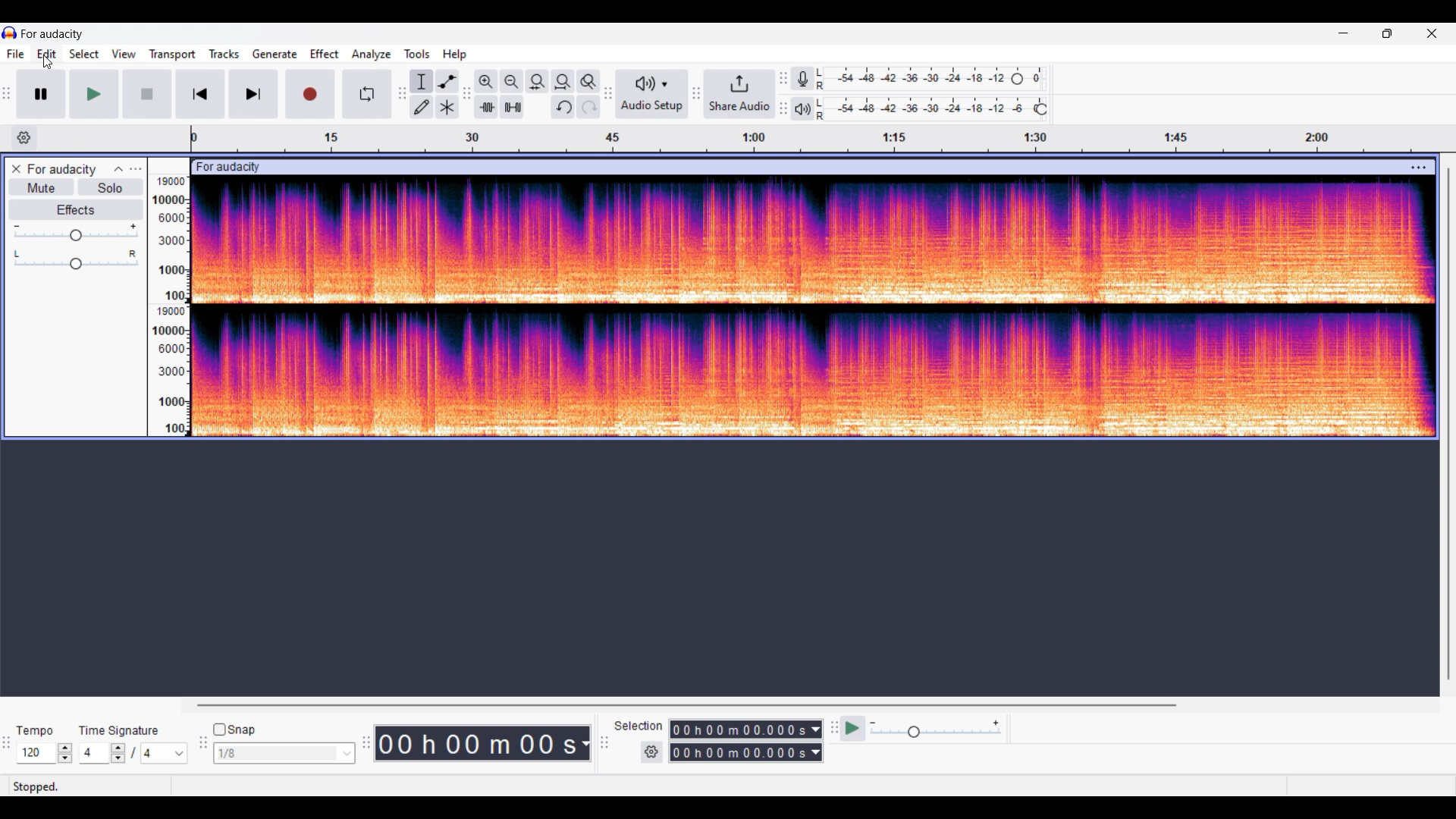 Image resolution: width=1456 pixels, height=819 pixels. Describe the element at coordinates (76, 260) in the screenshot. I see `Pan slider` at that location.